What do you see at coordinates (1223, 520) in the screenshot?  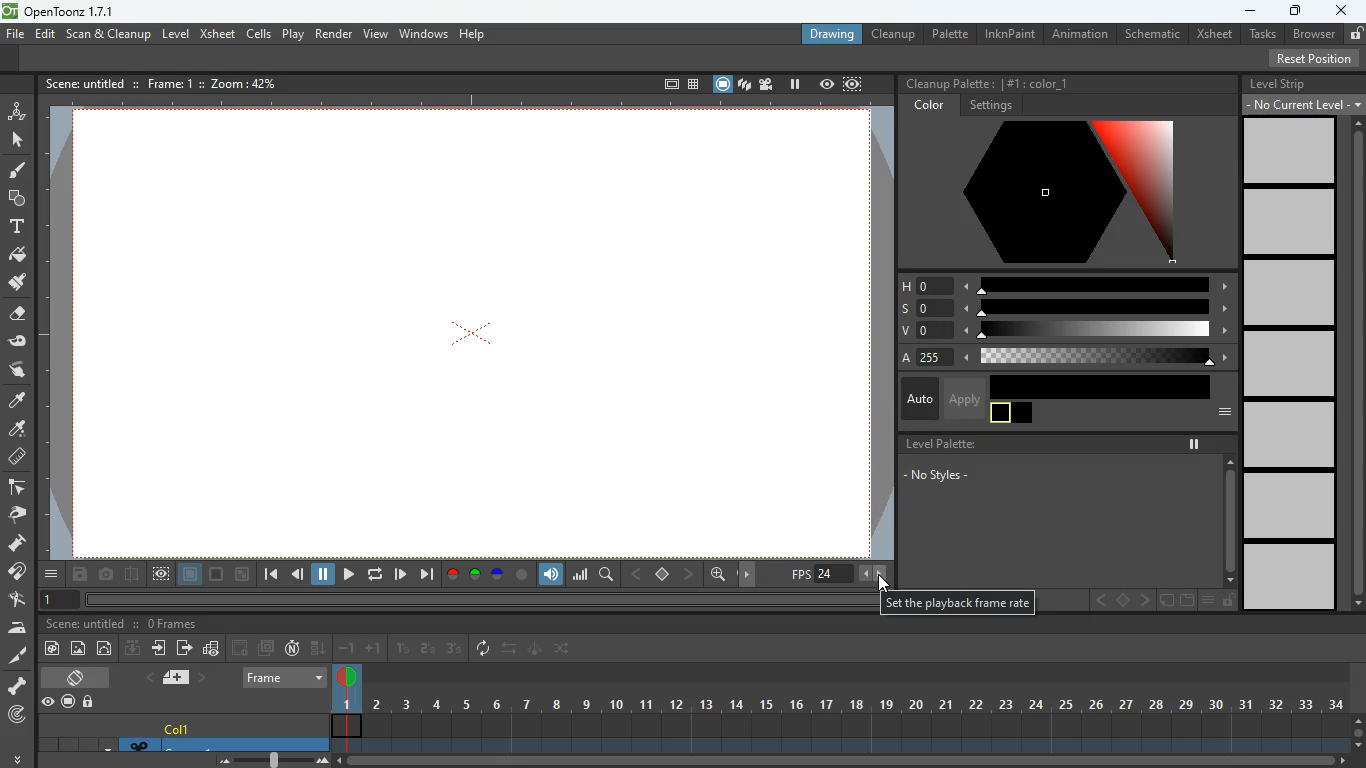 I see `scroll bar` at bounding box center [1223, 520].